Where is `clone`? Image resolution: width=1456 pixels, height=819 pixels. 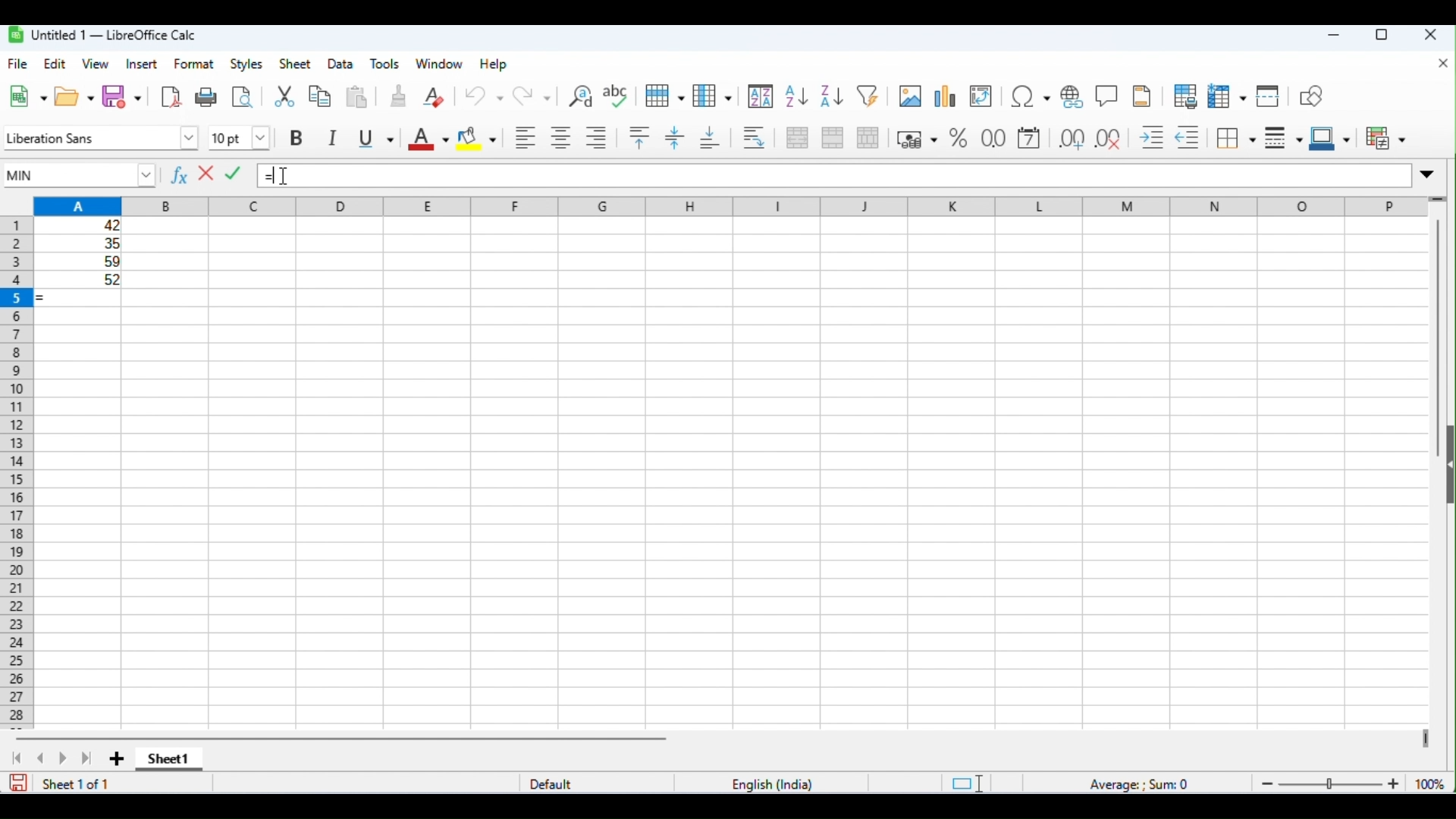
clone is located at coordinates (399, 96).